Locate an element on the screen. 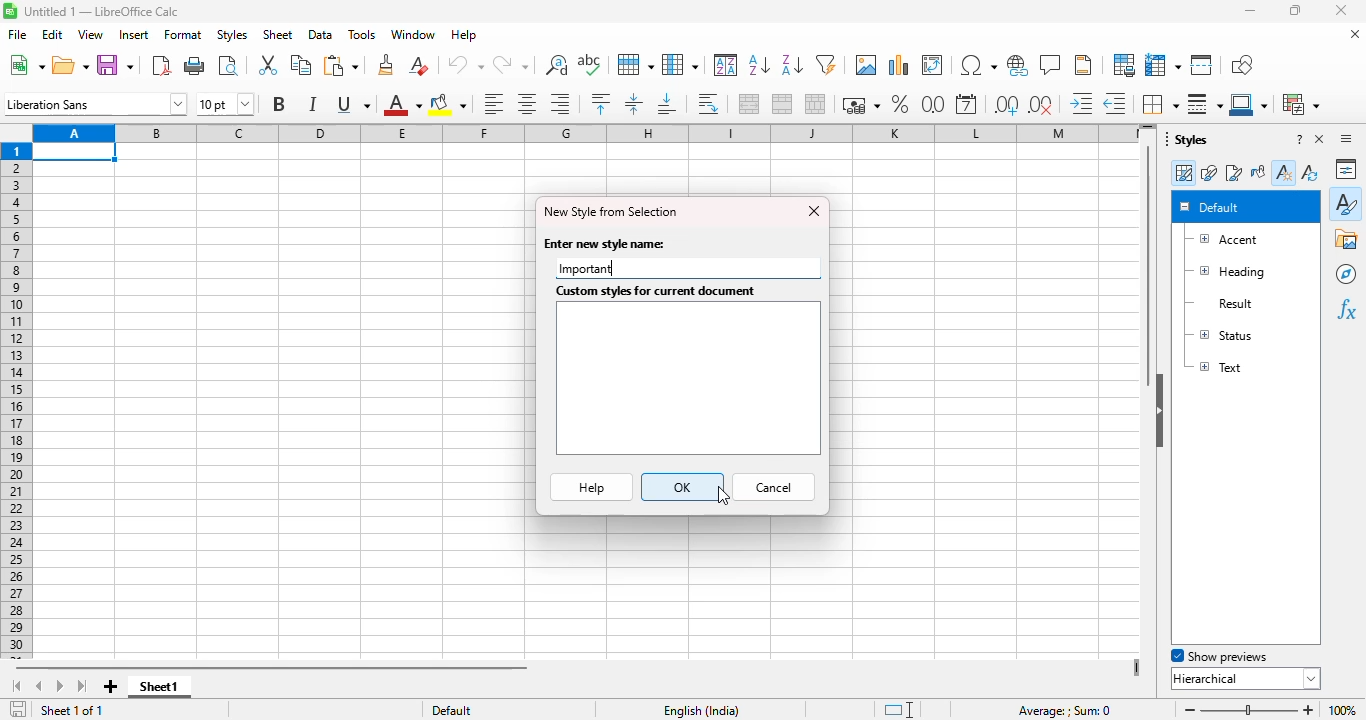  new is located at coordinates (25, 65).